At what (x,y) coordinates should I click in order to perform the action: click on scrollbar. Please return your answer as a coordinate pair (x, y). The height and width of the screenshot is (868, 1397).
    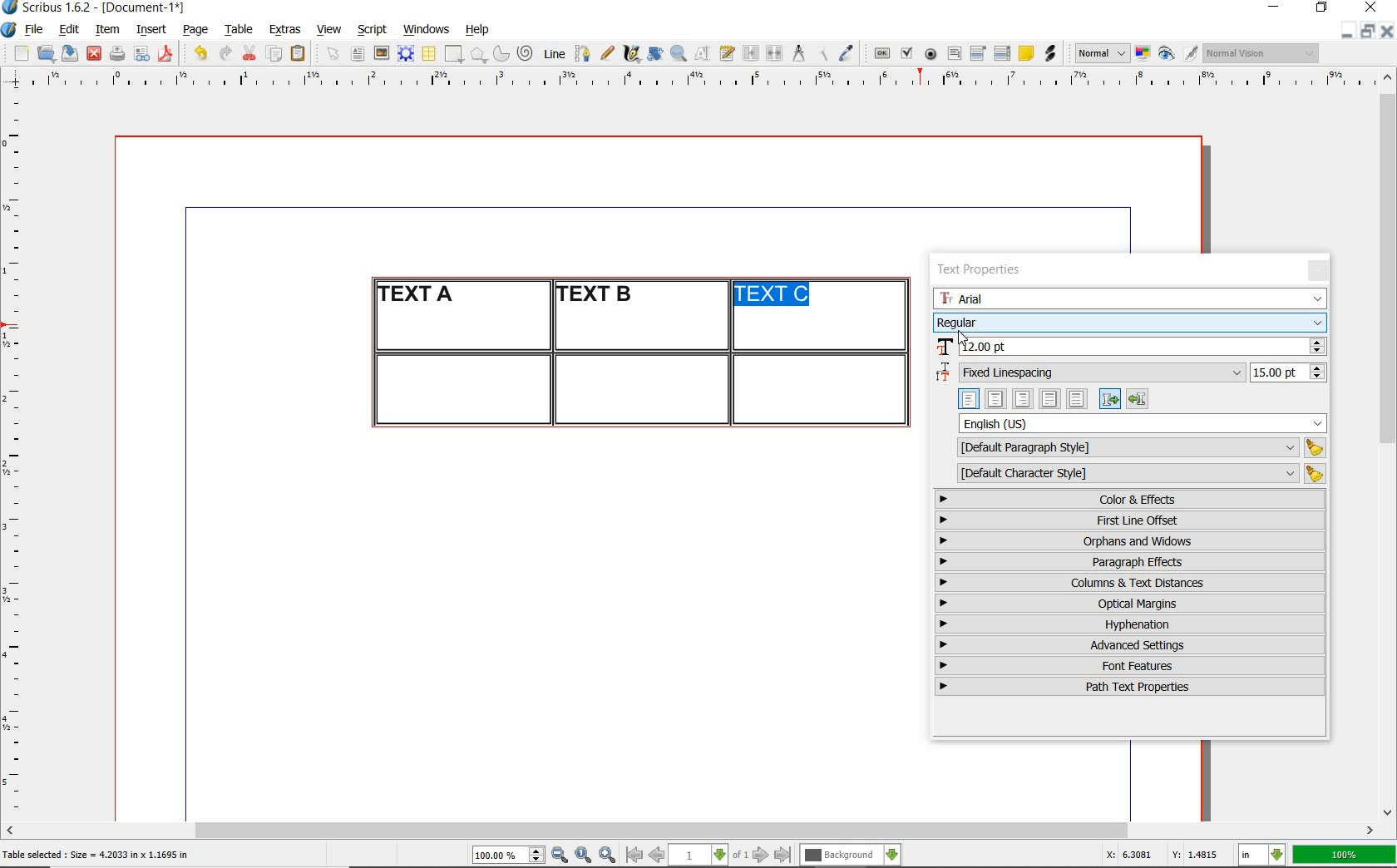
    Looking at the image, I should click on (690, 832).